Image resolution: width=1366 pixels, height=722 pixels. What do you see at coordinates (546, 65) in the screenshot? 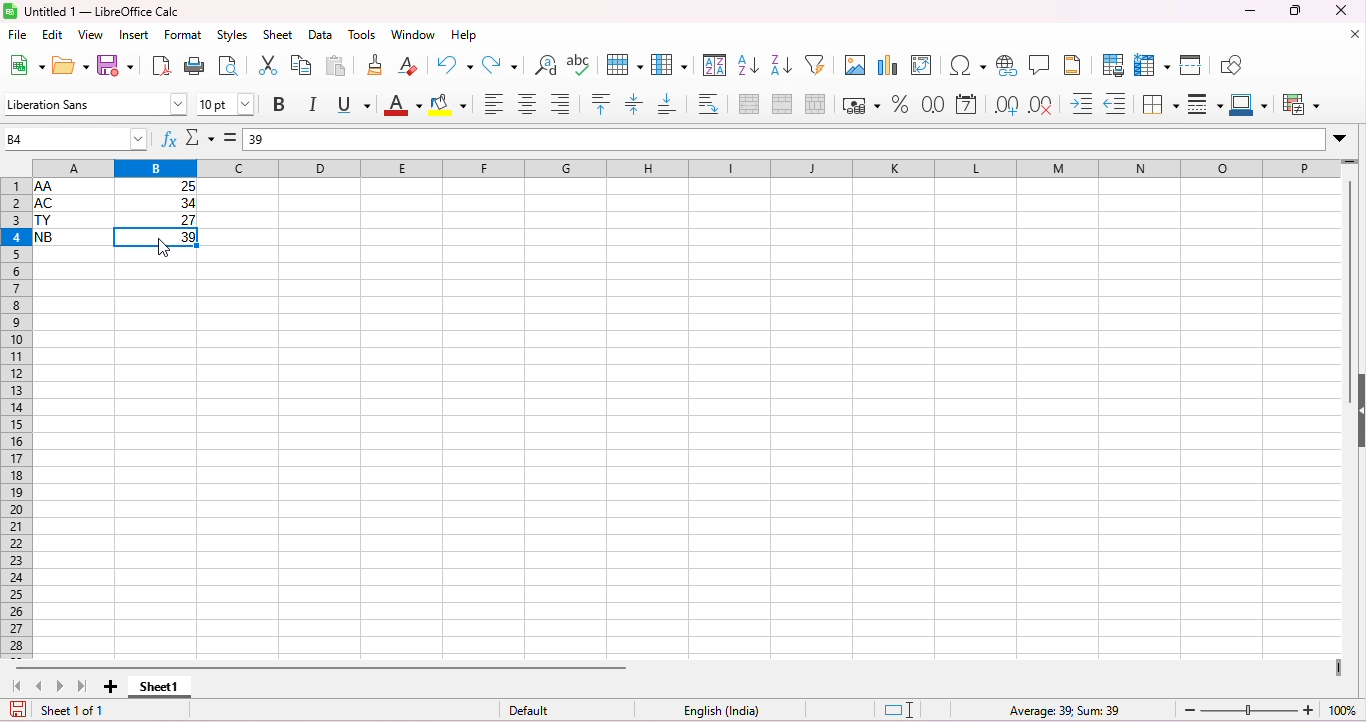
I see `find and replace` at bounding box center [546, 65].